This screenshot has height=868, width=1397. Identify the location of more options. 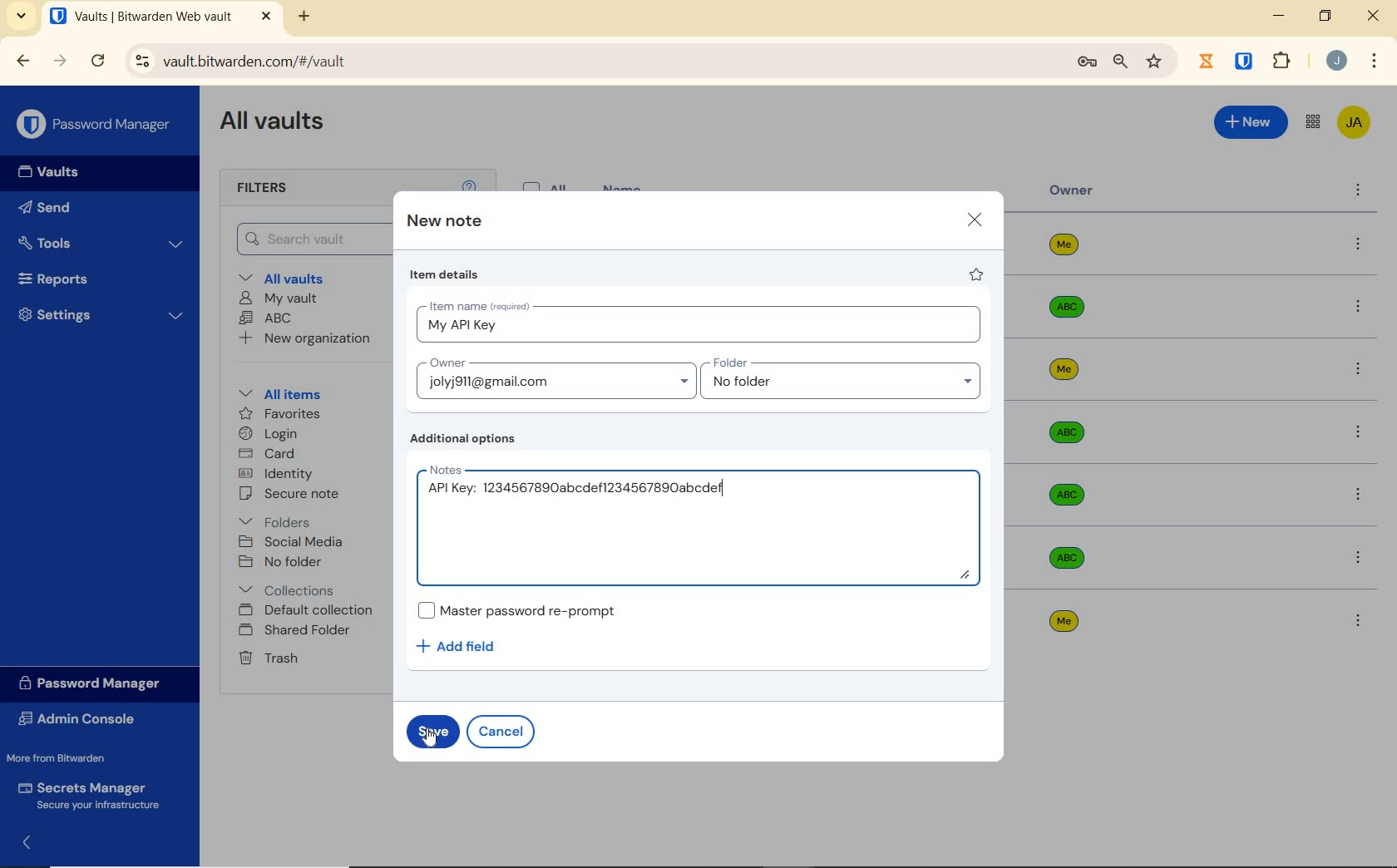
(1358, 192).